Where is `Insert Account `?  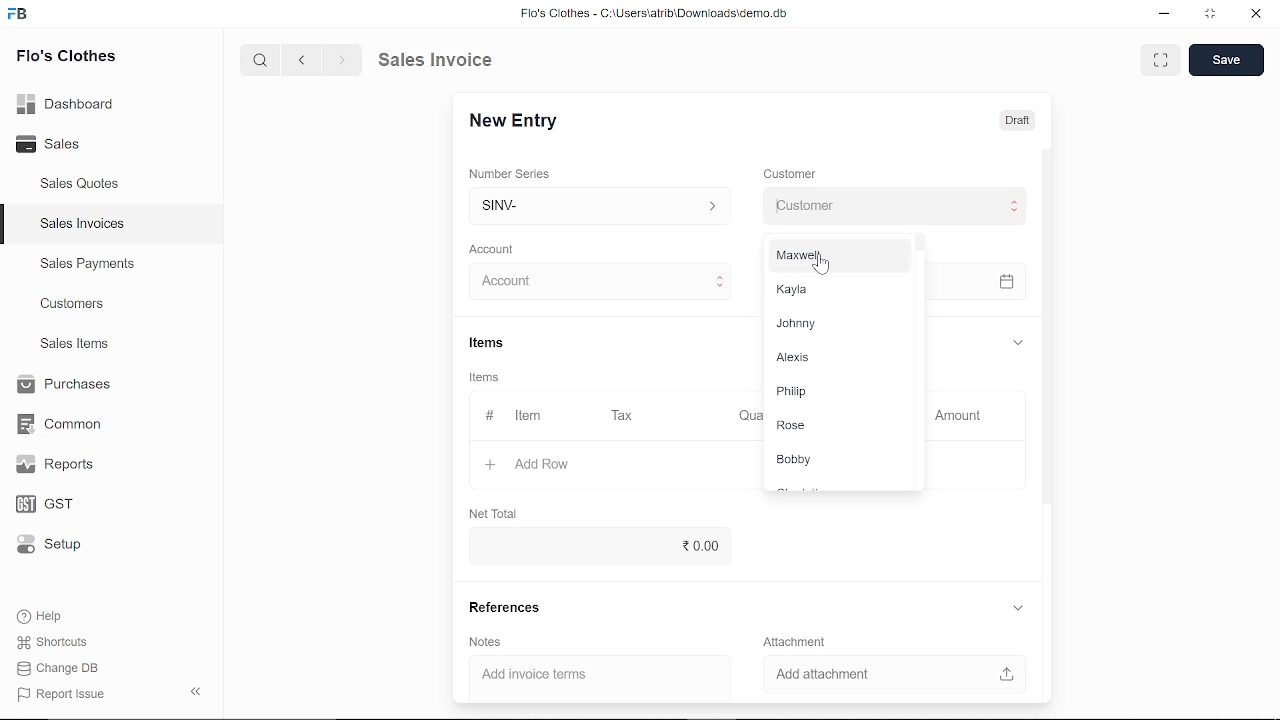 Insert Account  is located at coordinates (596, 281).